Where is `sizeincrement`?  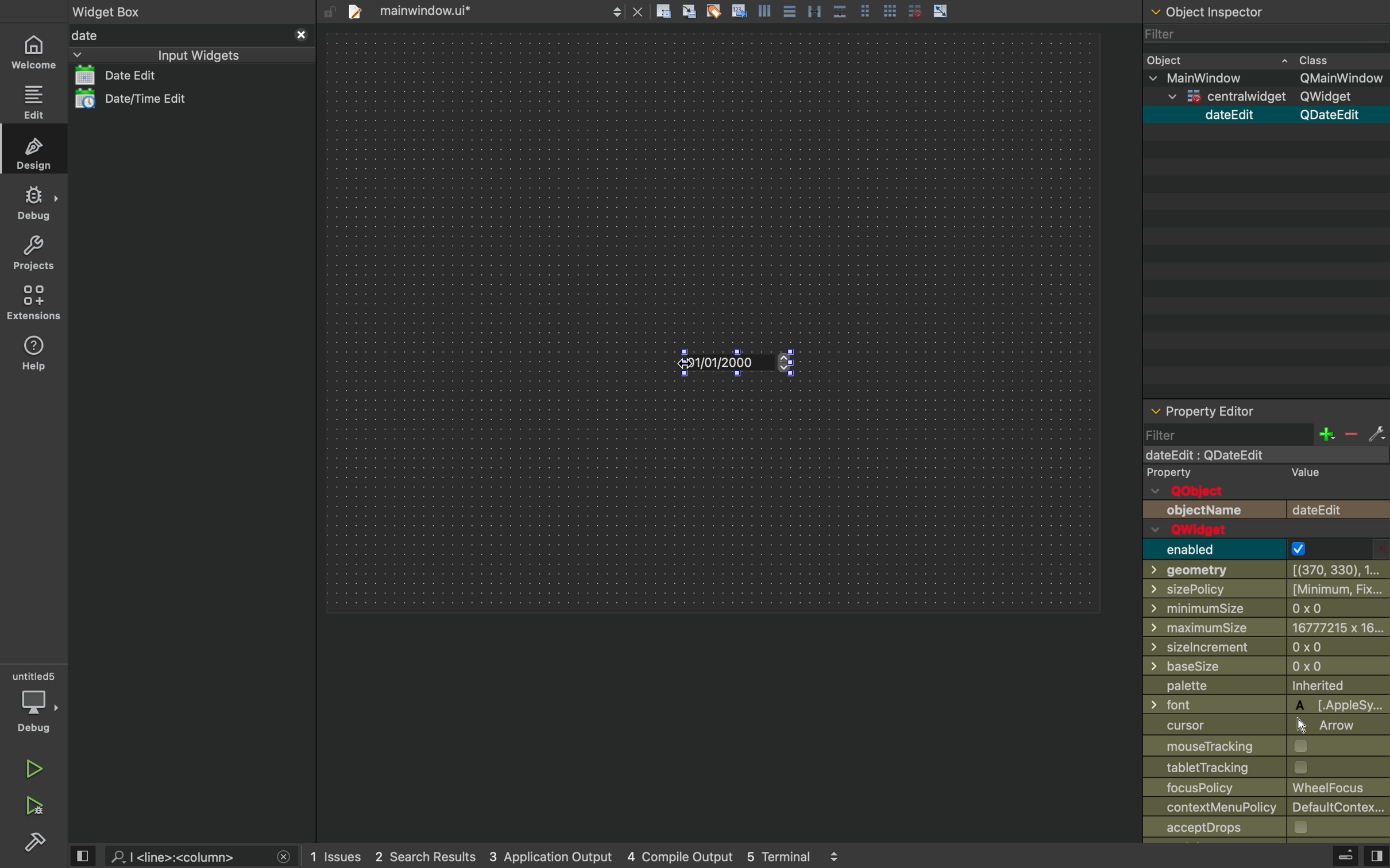 sizeincrement is located at coordinates (1267, 649).